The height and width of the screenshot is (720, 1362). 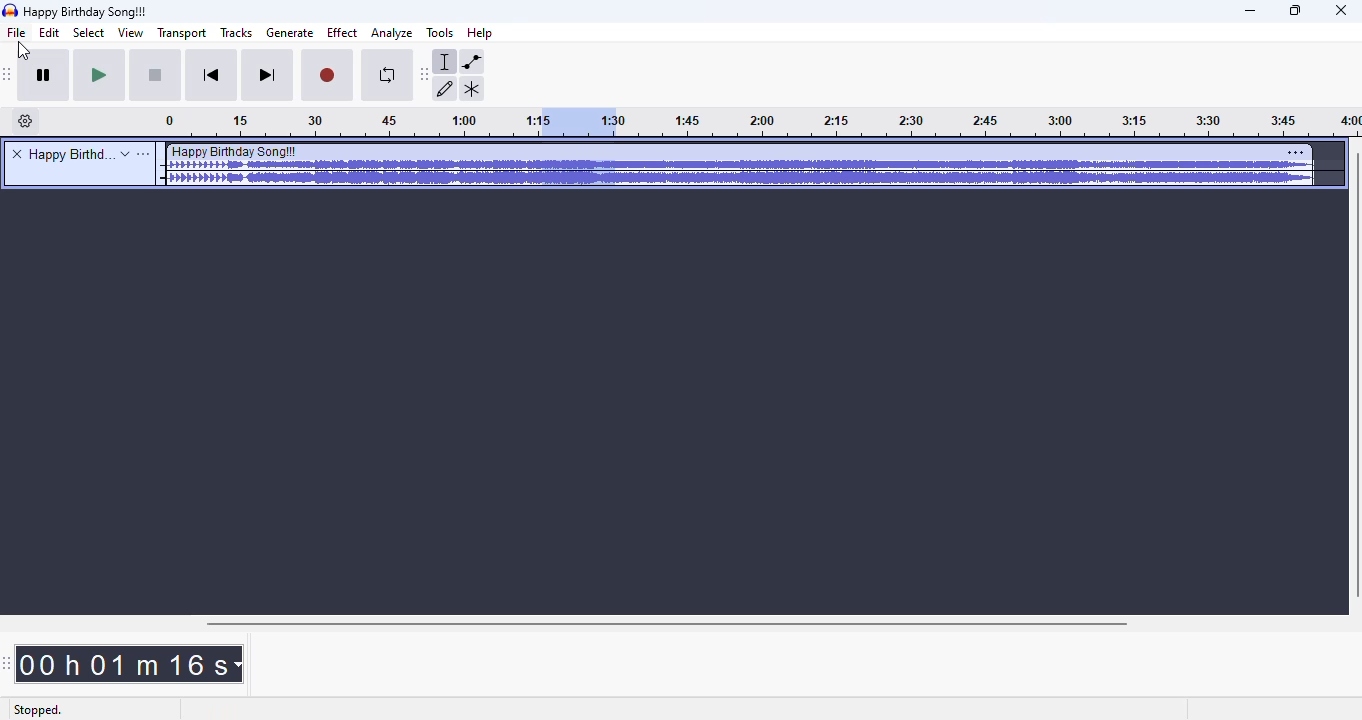 I want to click on maximize, so click(x=1296, y=11).